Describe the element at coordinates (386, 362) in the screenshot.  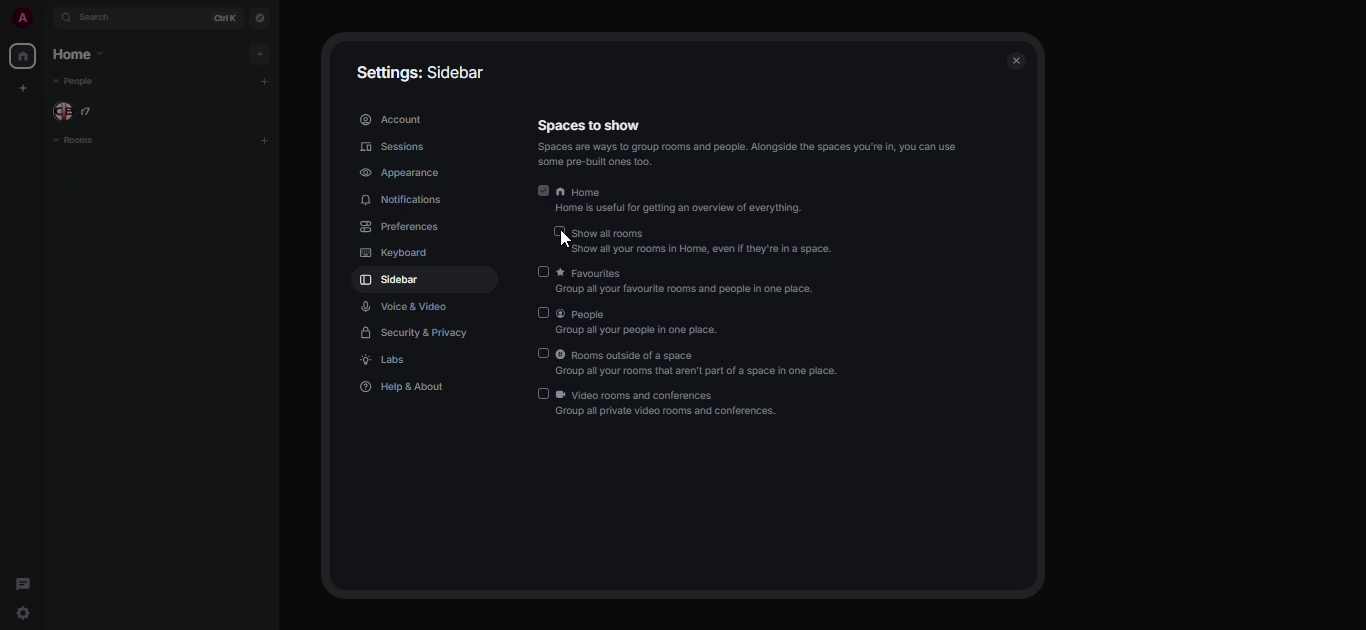
I see `labs` at that location.